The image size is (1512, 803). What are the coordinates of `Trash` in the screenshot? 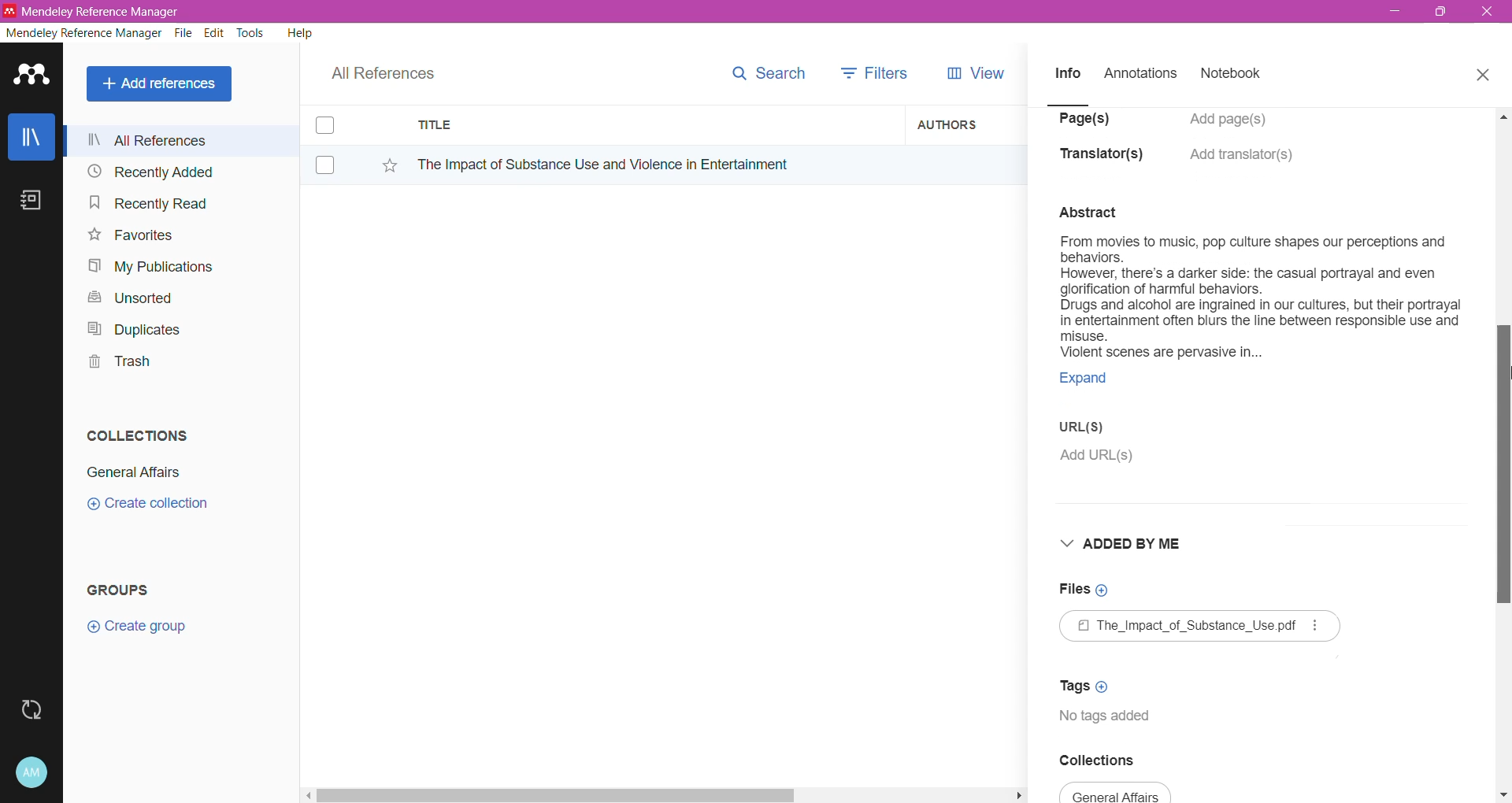 It's located at (115, 364).